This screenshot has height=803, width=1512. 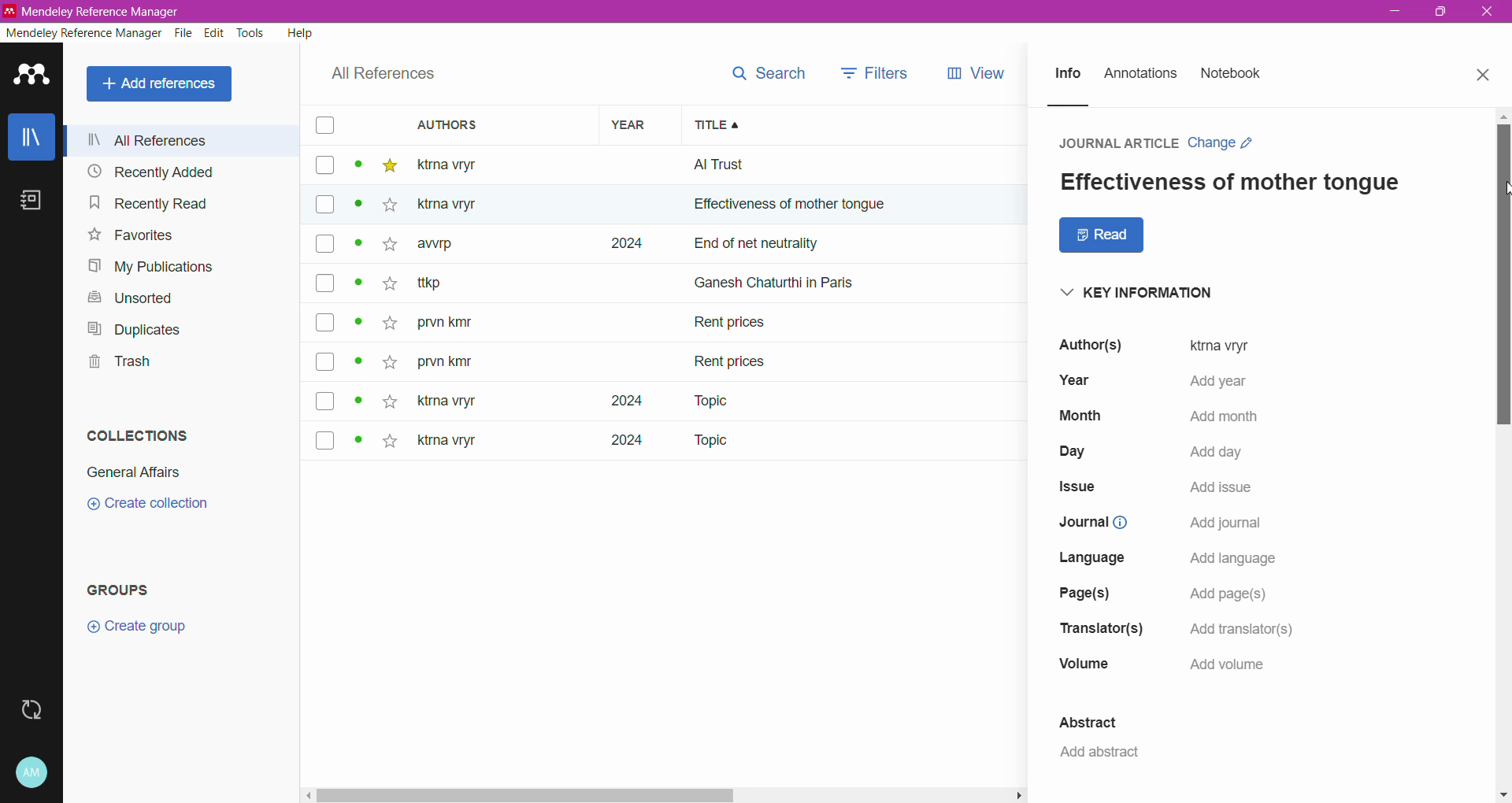 What do you see at coordinates (162, 84) in the screenshot?
I see `All References` at bounding box center [162, 84].